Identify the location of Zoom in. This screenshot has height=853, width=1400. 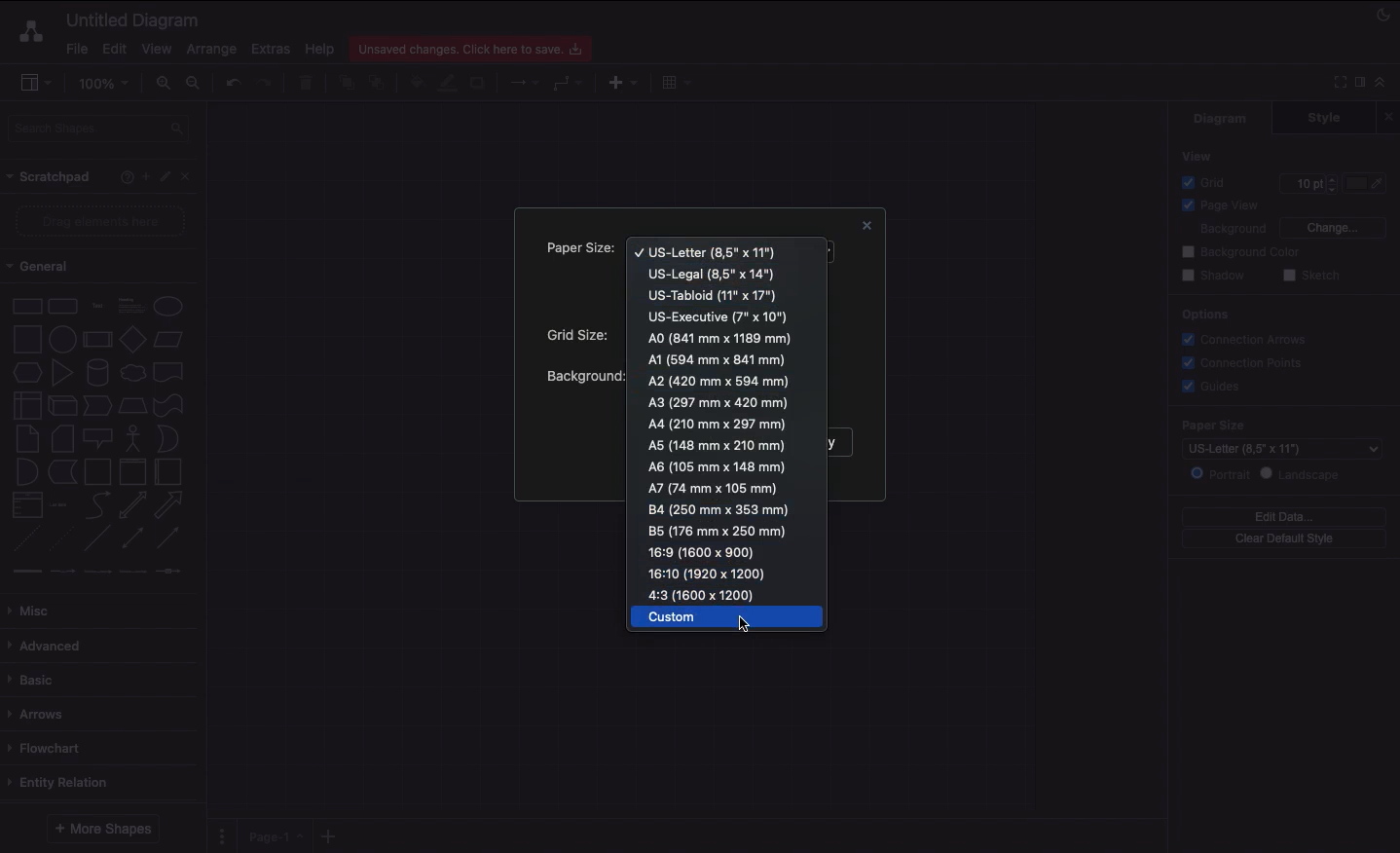
(163, 84).